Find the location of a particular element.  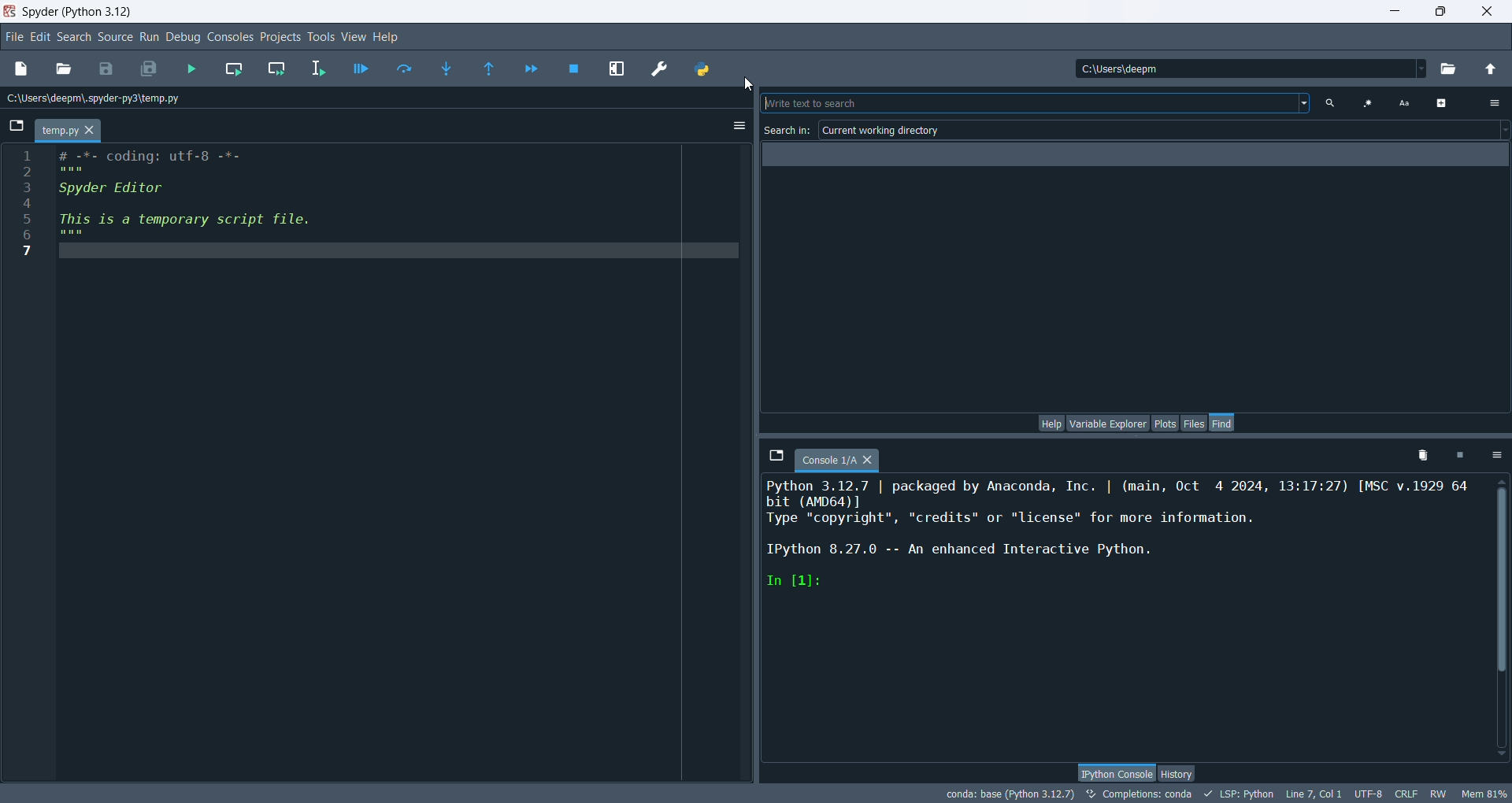

logo is located at coordinates (10, 12).